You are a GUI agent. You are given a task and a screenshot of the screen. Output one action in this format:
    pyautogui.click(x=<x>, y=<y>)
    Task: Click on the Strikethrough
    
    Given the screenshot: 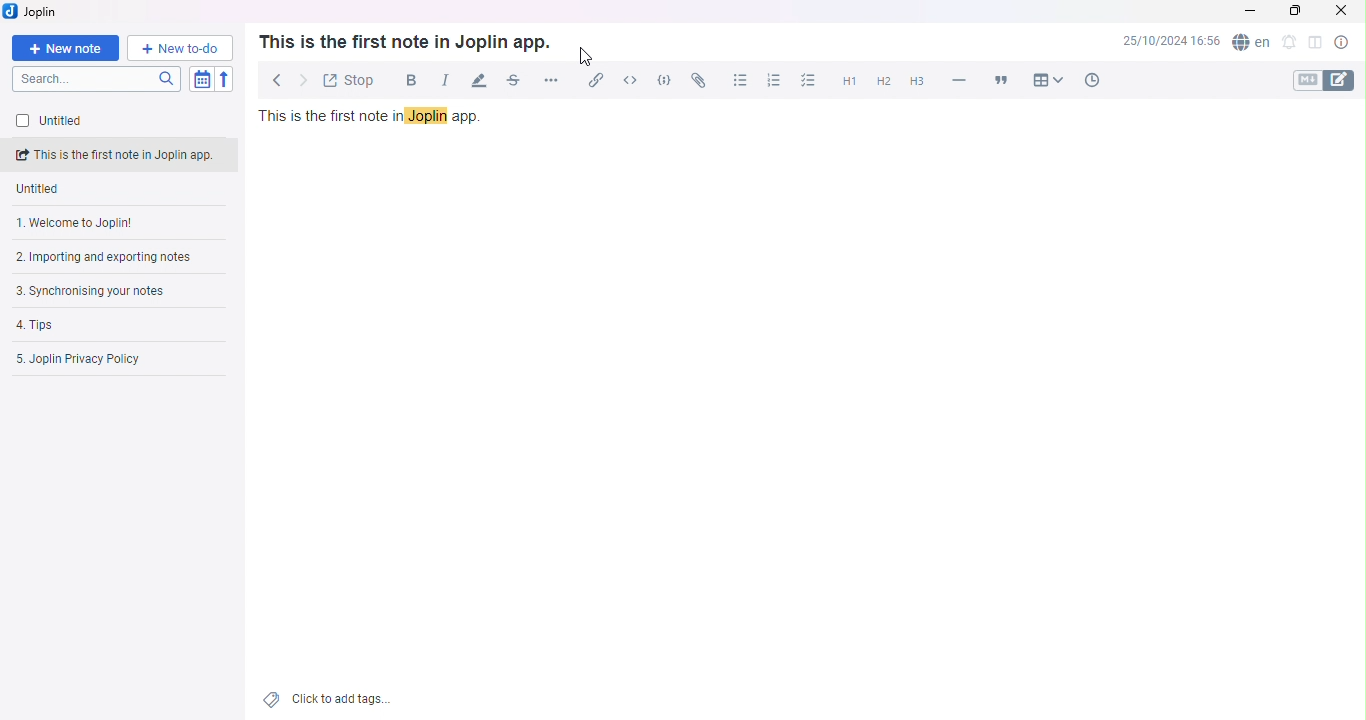 What is the action you would take?
    pyautogui.click(x=512, y=83)
    